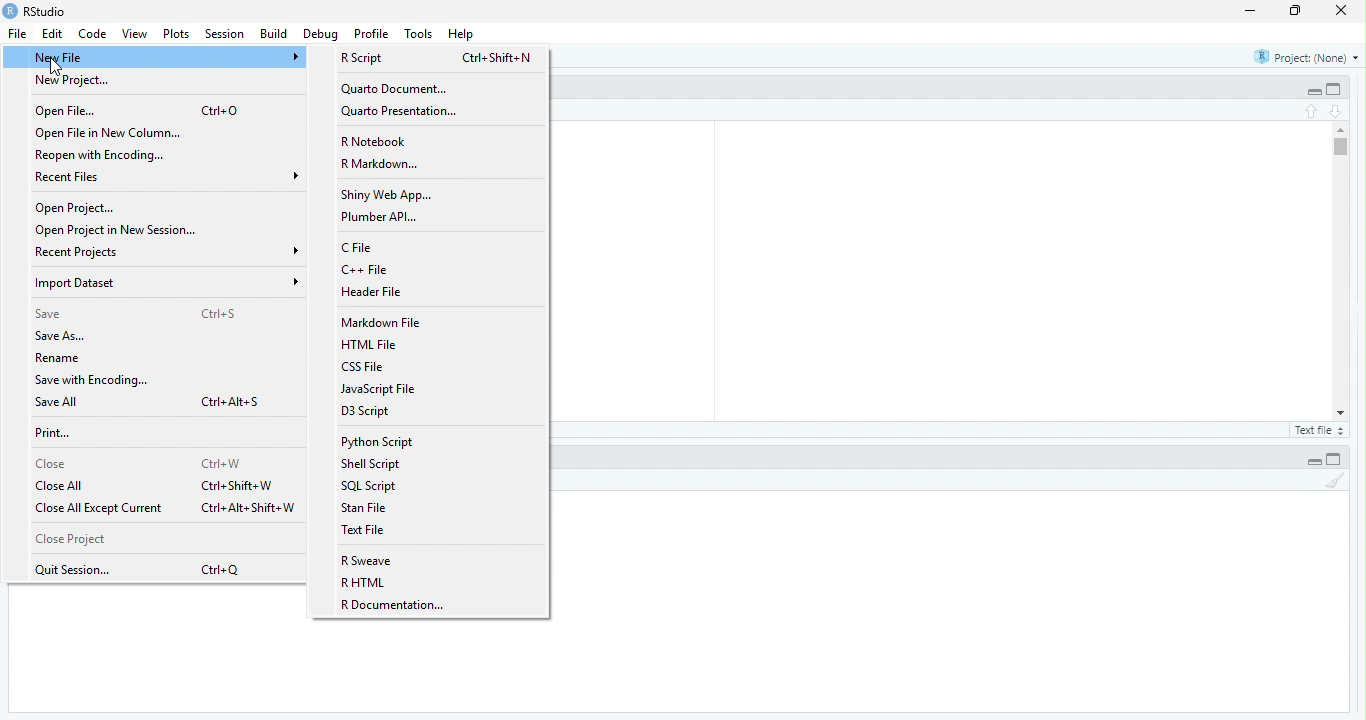  What do you see at coordinates (54, 464) in the screenshot?
I see `Close` at bounding box center [54, 464].